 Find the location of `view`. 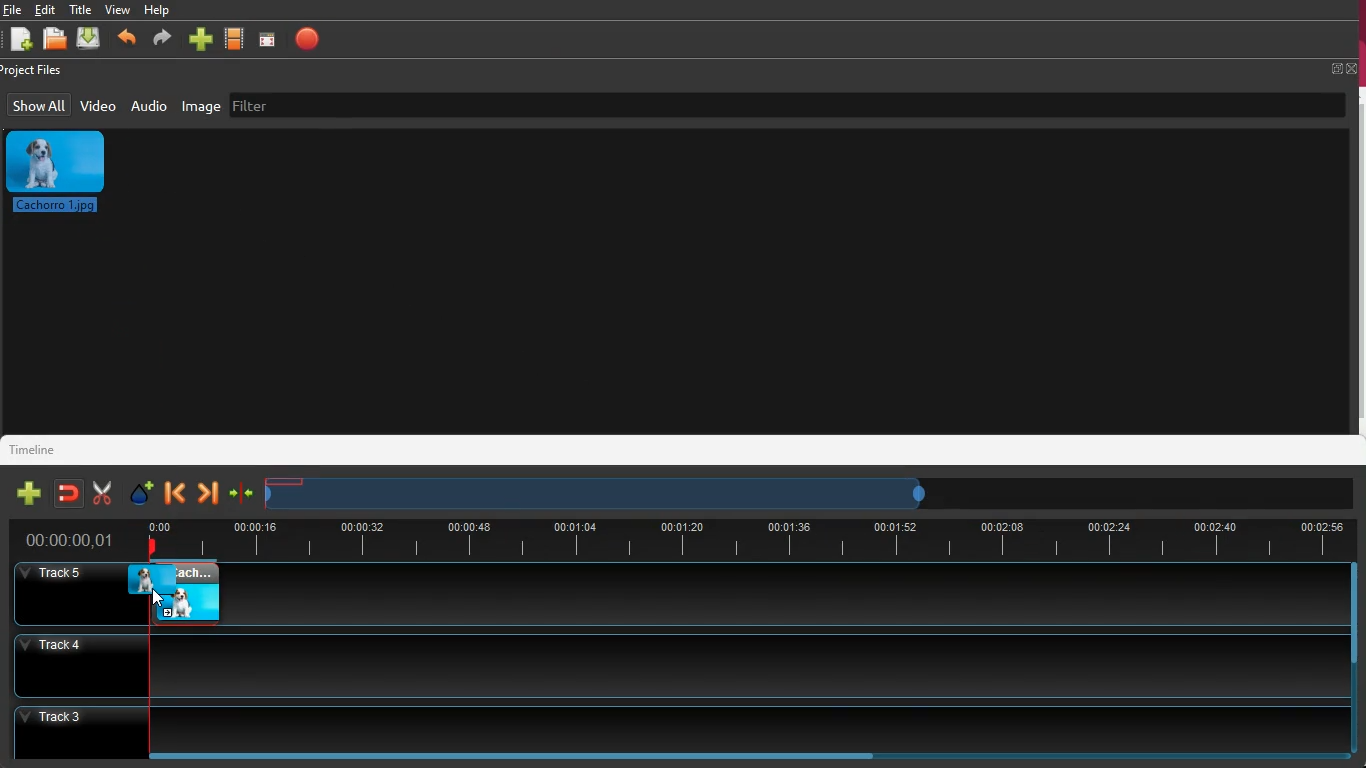

view is located at coordinates (120, 10).